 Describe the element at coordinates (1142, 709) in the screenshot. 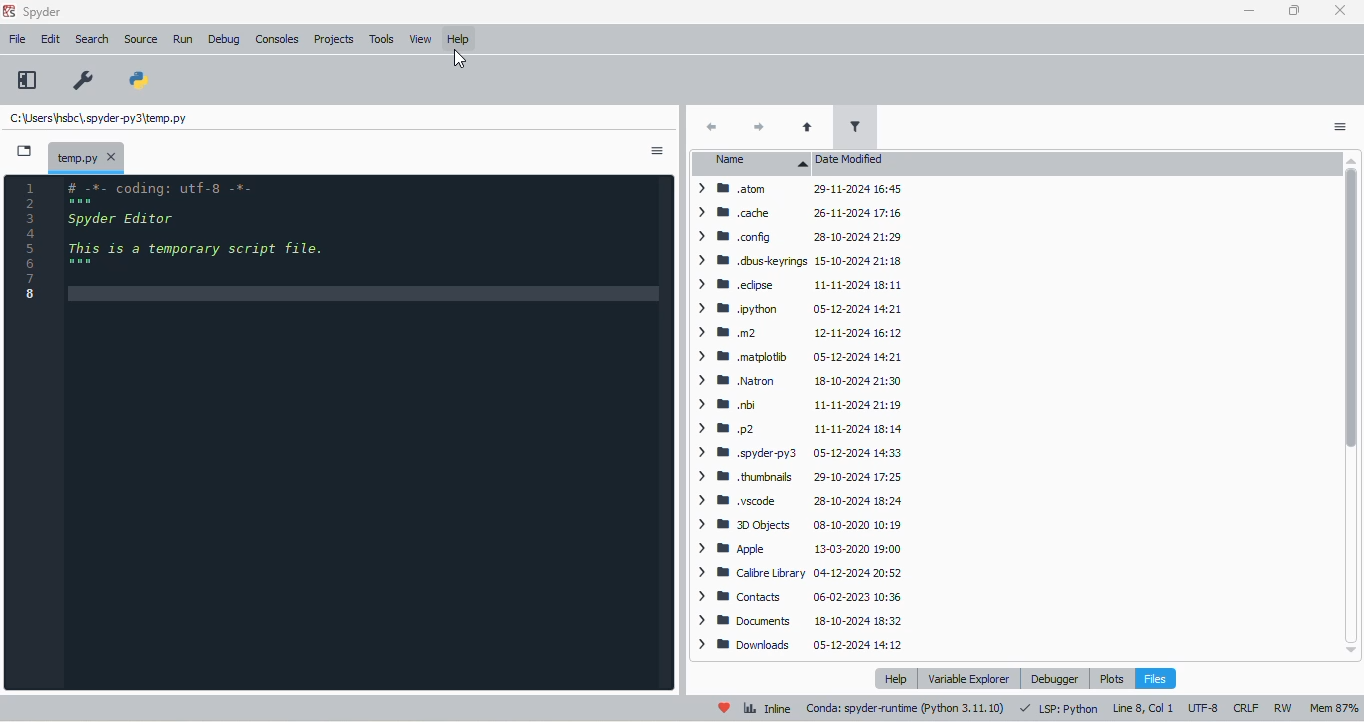

I see `line 8, col 1` at that location.